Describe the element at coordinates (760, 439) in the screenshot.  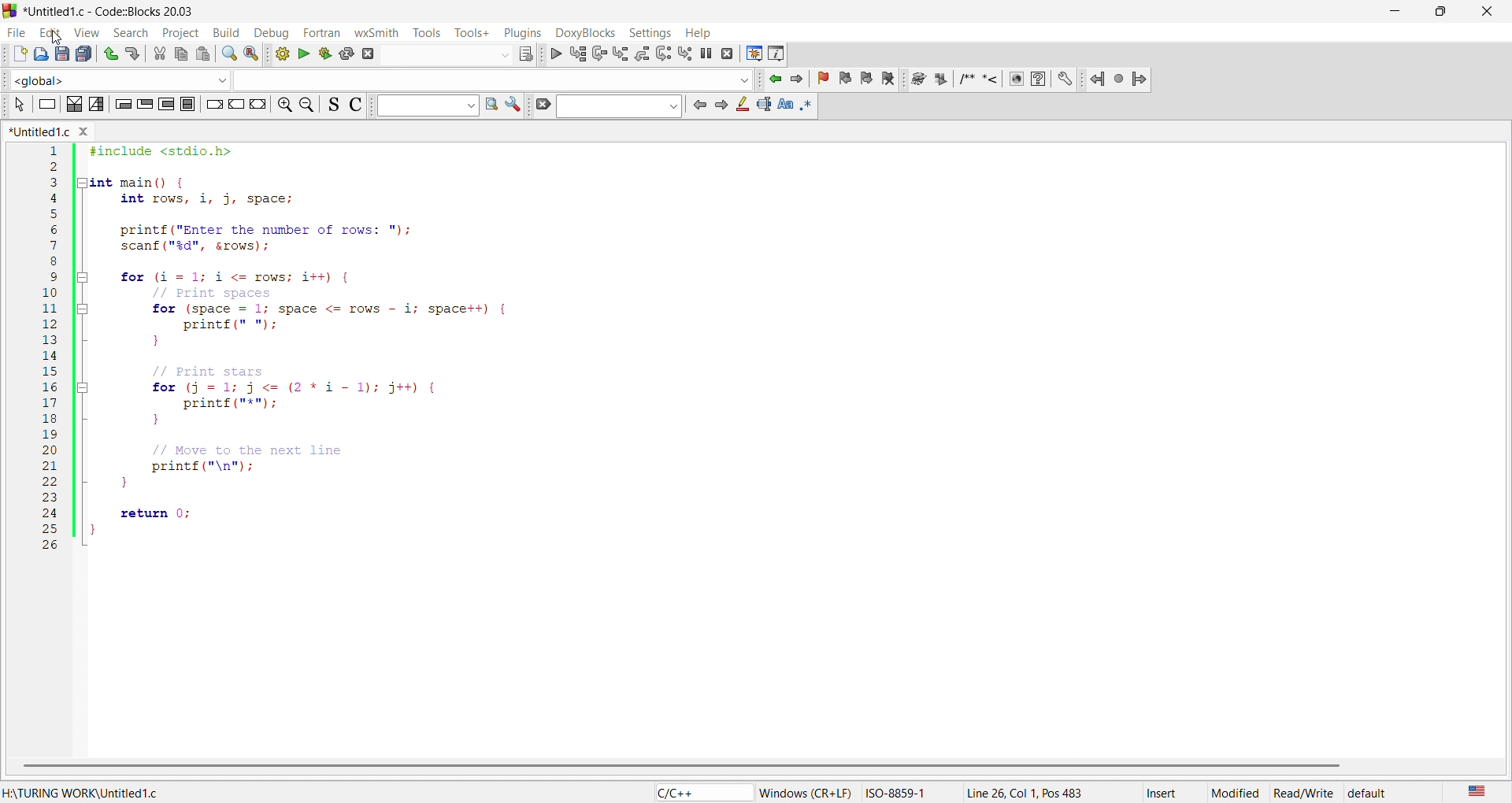
I see `code editor` at that location.